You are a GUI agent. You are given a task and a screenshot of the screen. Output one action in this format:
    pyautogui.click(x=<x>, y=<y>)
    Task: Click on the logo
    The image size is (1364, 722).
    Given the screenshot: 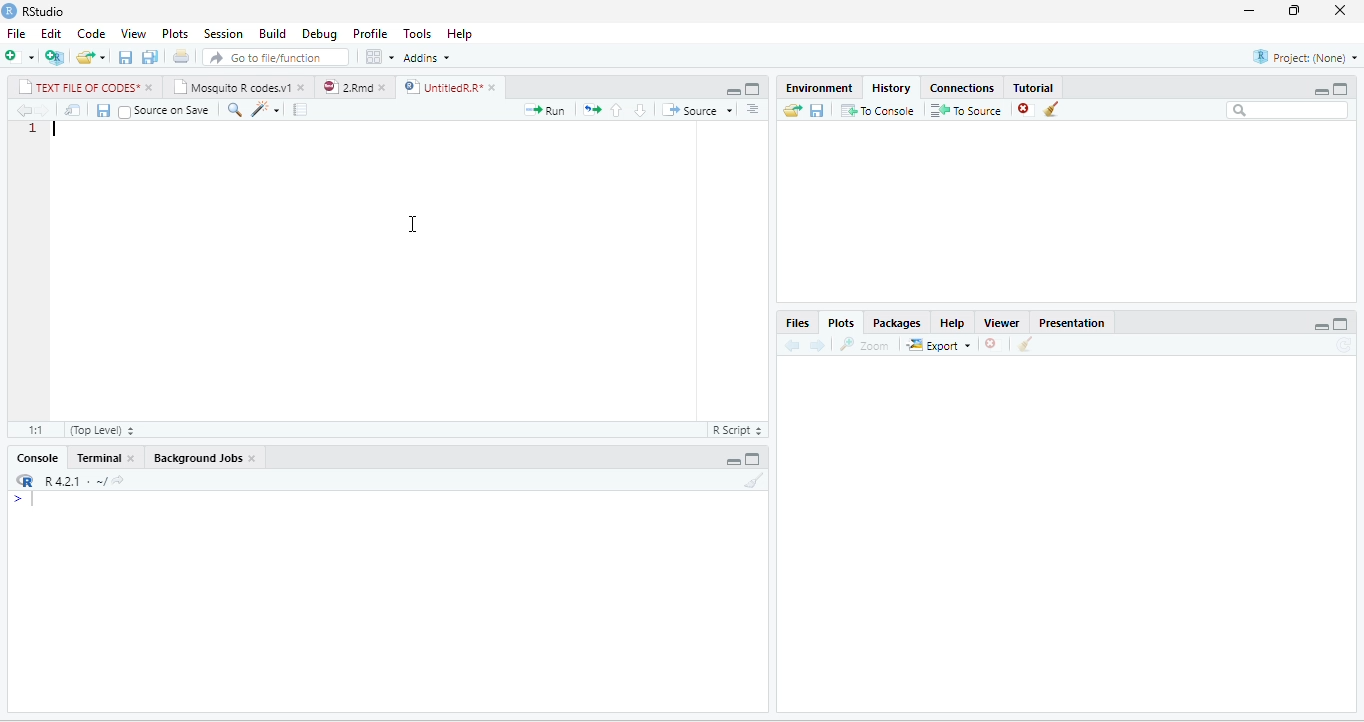 What is the action you would take?
    pyautogui.click(x=10, y=11)
    